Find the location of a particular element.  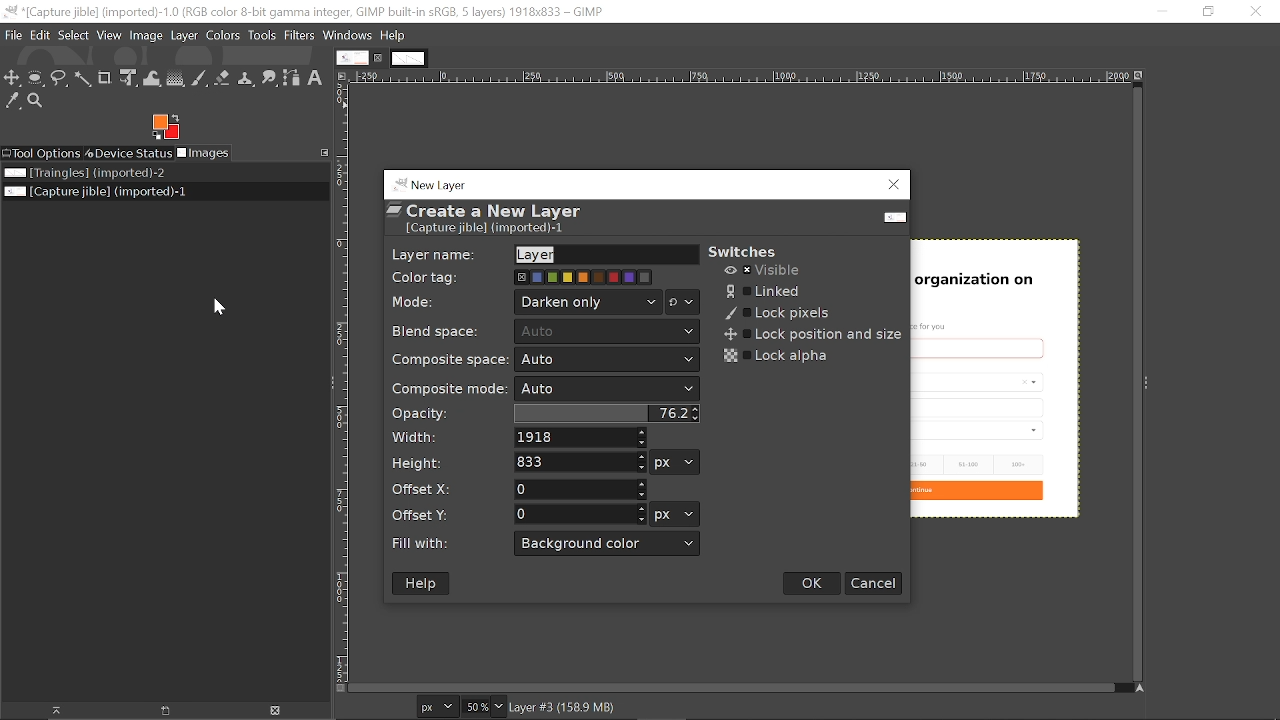

Height units is located at coordinates (675, 462).